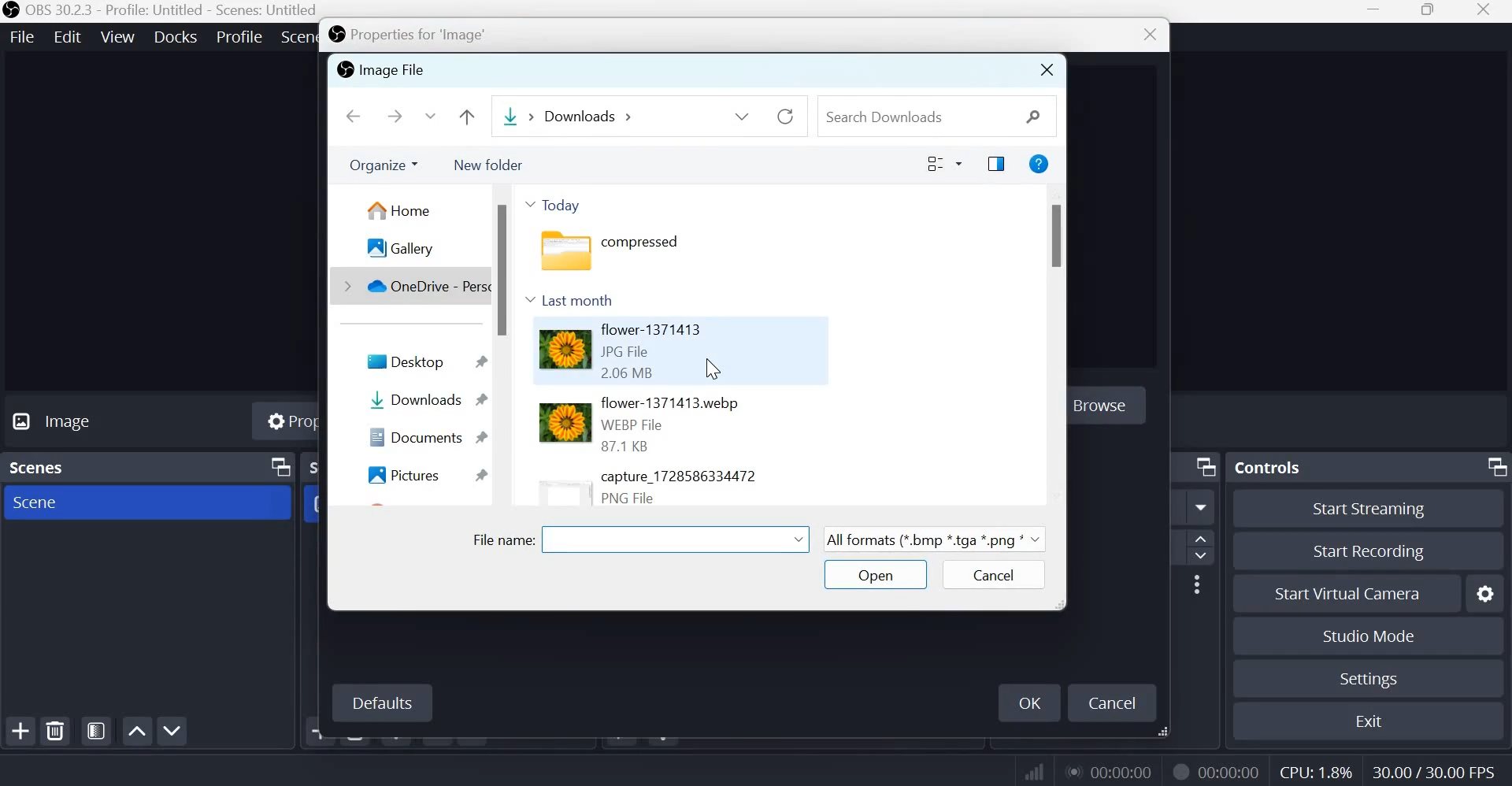  Describe the element at coordinates (1376, 11) in the screenshot. I see `Minimize` at that location.